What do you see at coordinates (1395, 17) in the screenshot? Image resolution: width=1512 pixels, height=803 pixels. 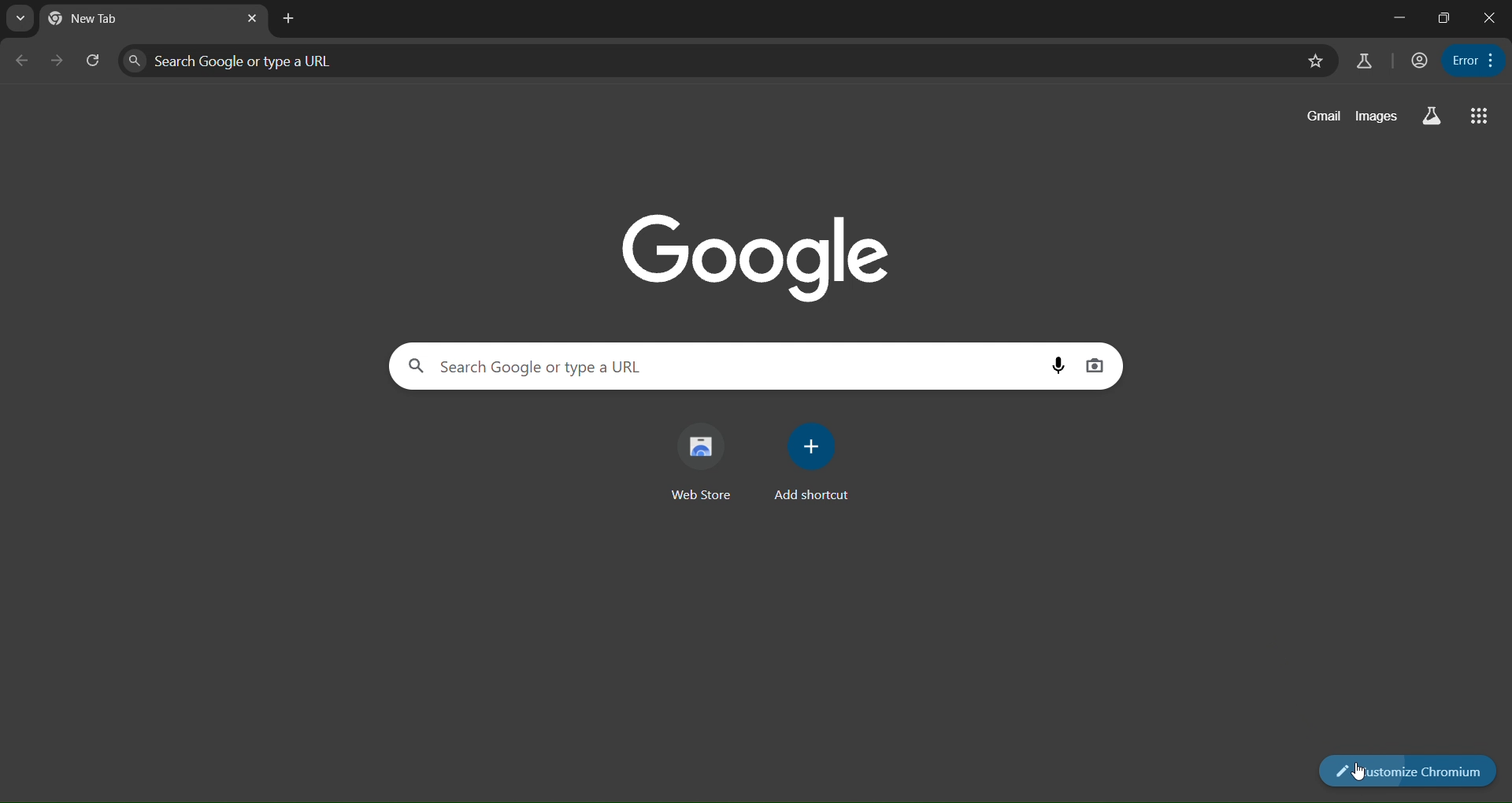 I see `minimize` at bounding box center [1395, 17].